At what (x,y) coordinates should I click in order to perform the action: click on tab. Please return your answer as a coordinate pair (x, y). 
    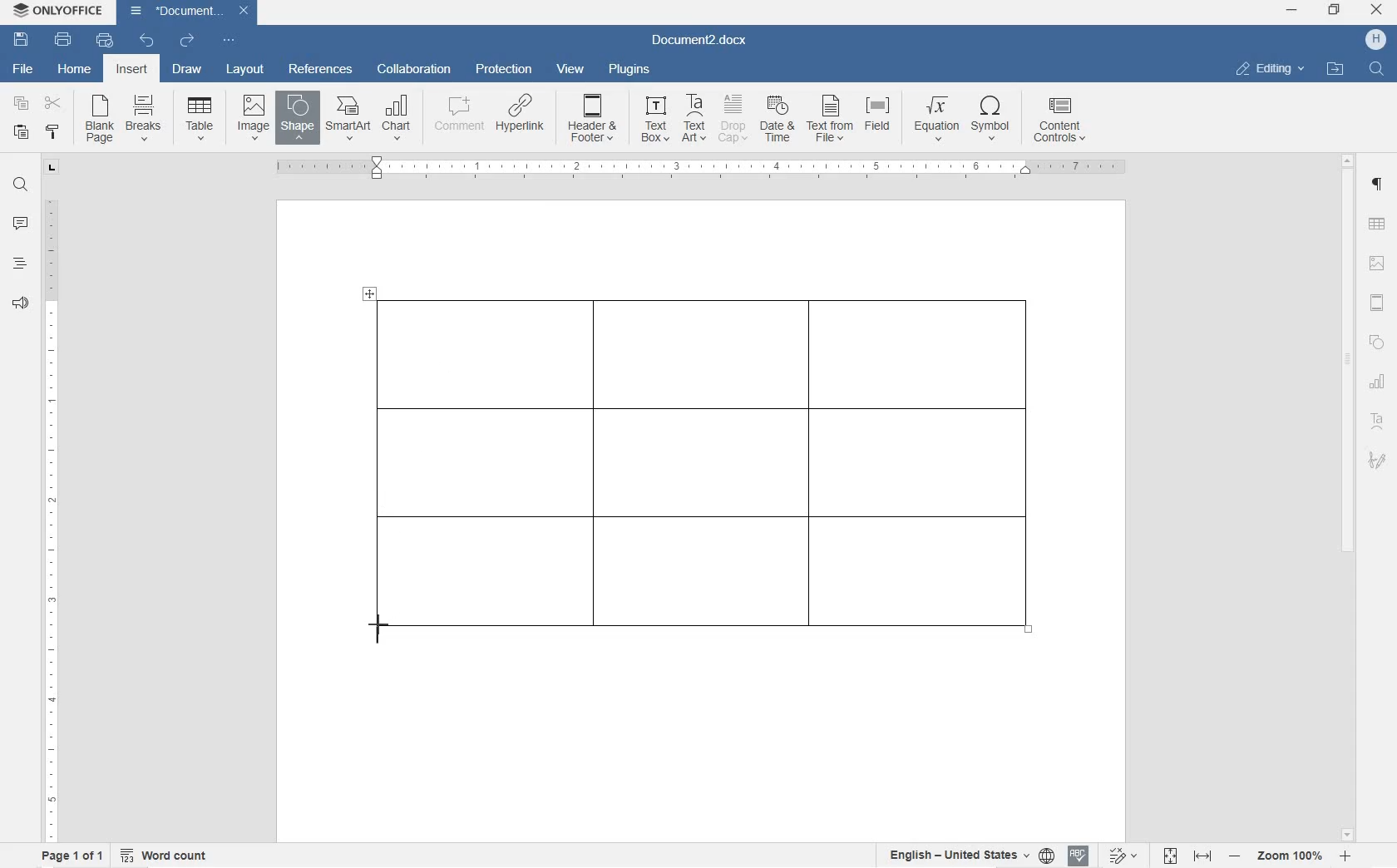
    Looking at the image, I should click on (53, 170).